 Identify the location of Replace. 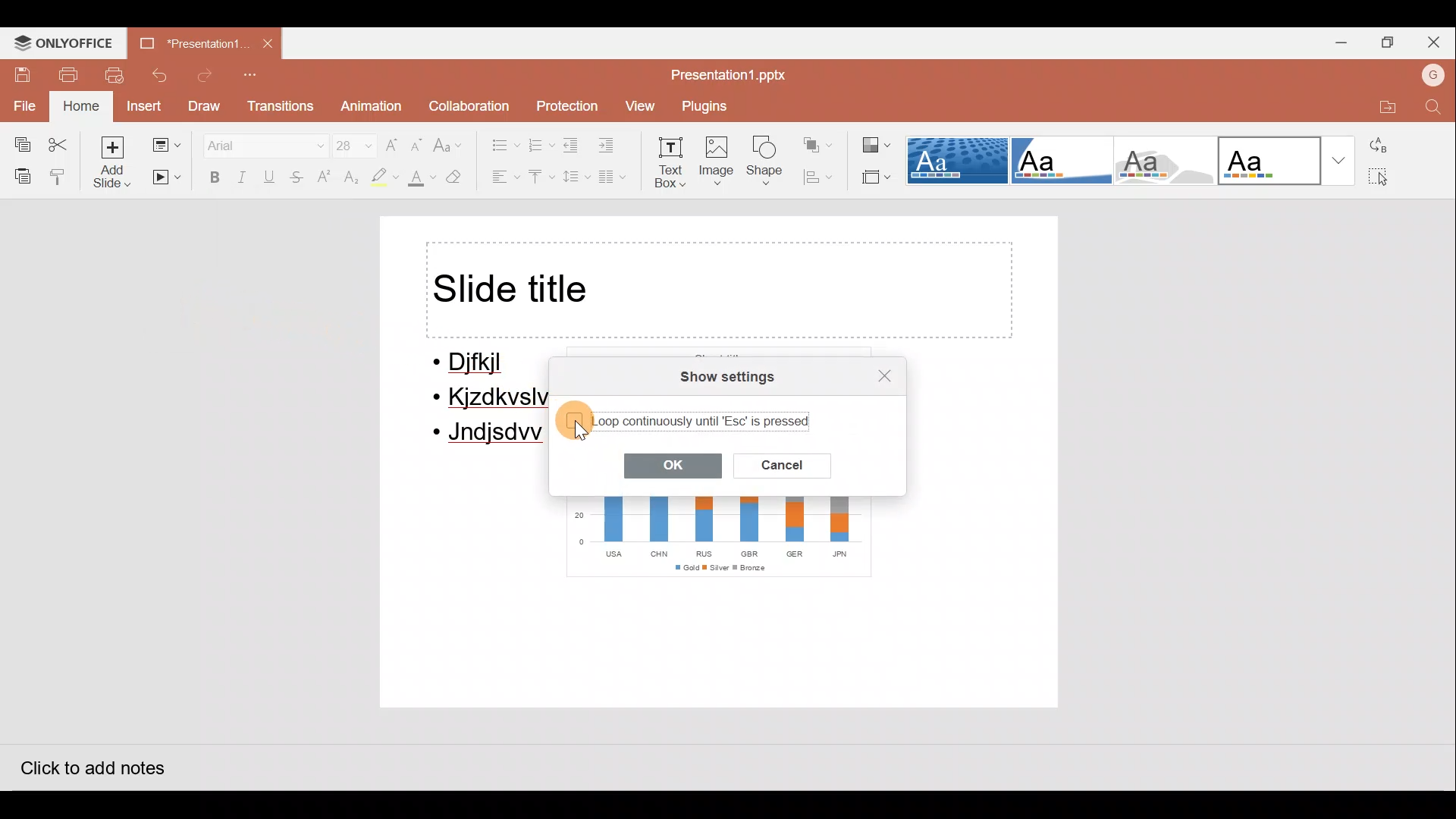
(1387, 149).